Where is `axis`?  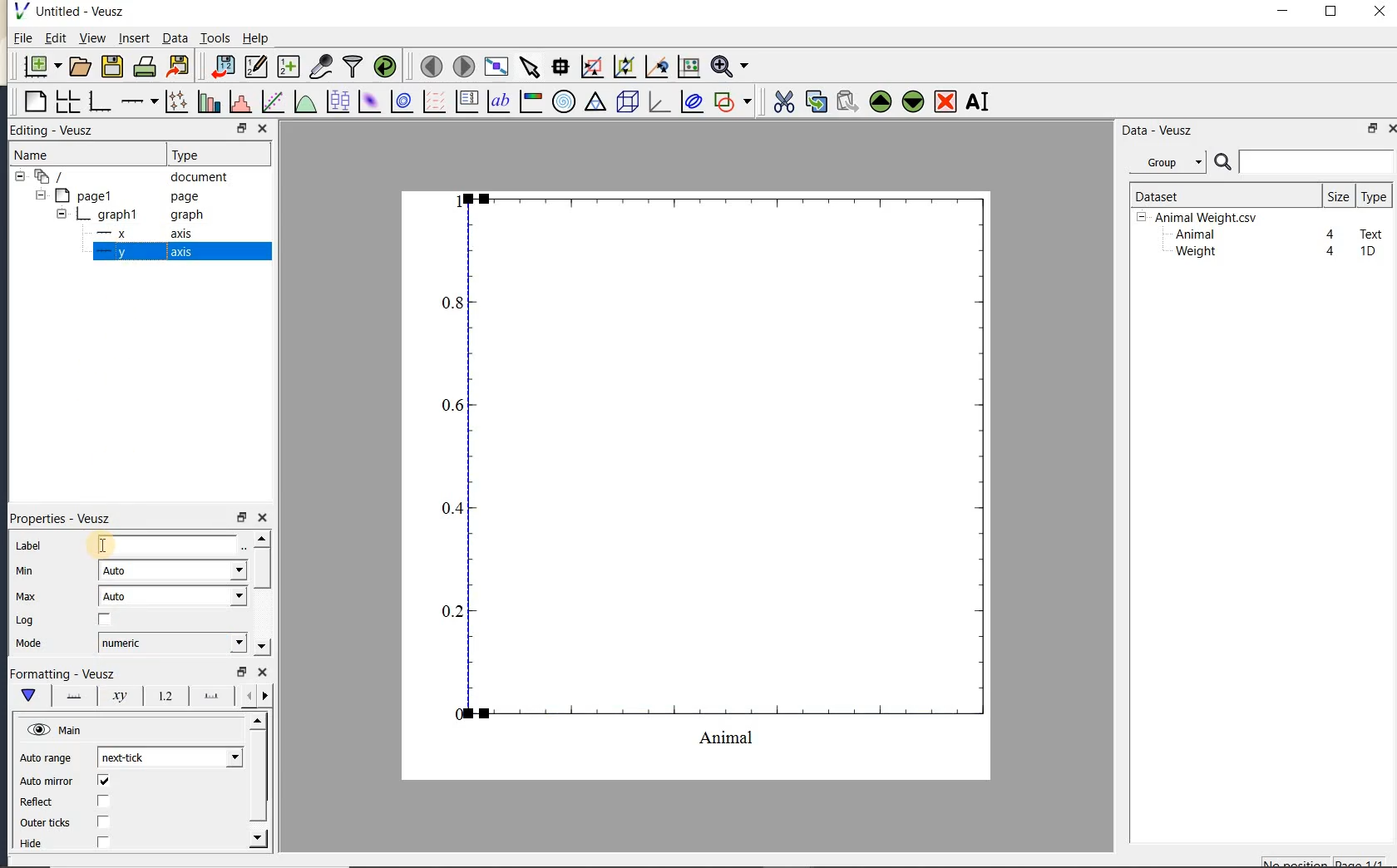 axis is located at coordinates (140, 234).